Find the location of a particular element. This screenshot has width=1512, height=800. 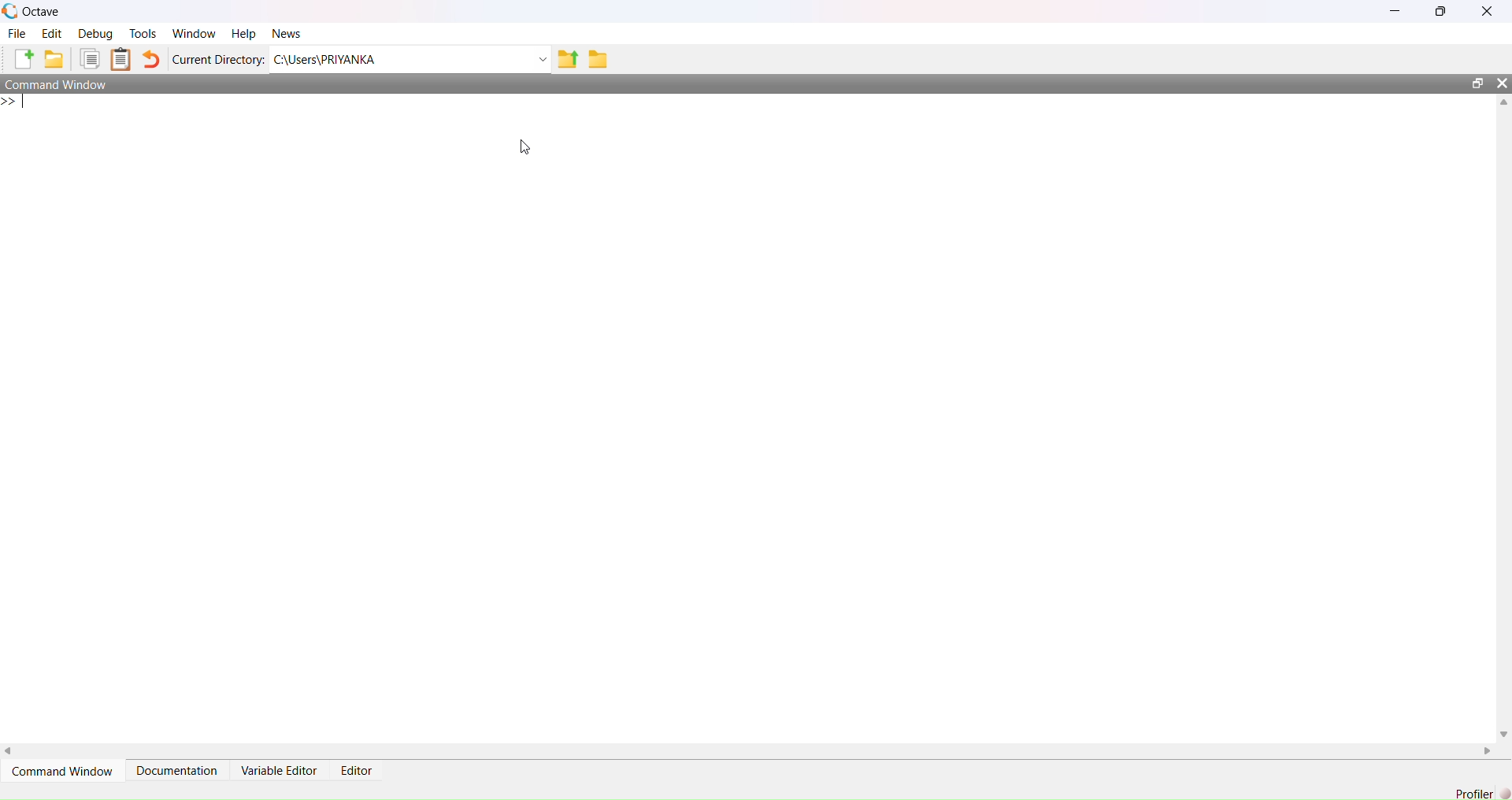

Prompt cursor is located at coordinates (29, 103).